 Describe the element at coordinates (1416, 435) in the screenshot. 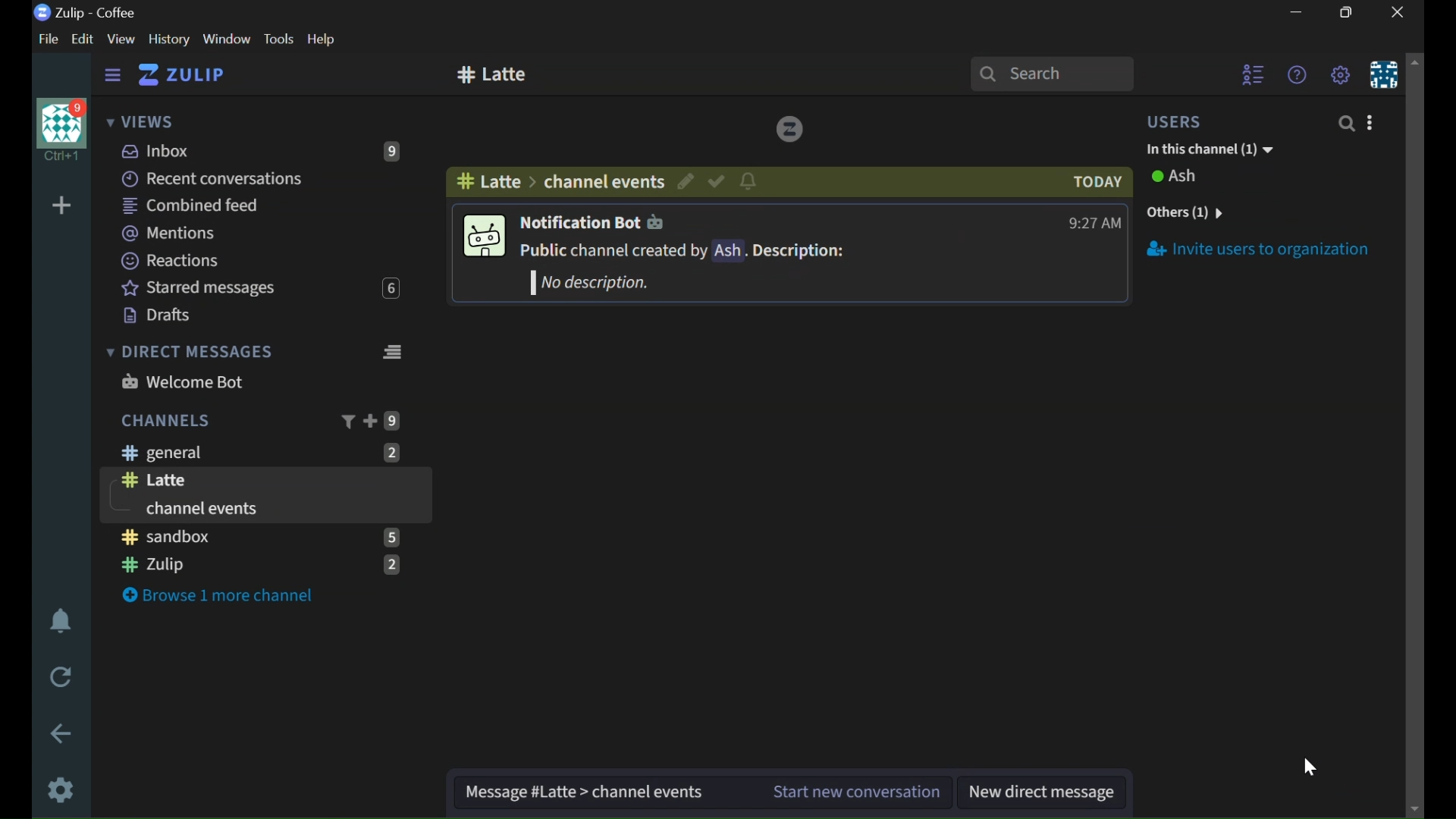

I see `SCROLLBAR` at that location.